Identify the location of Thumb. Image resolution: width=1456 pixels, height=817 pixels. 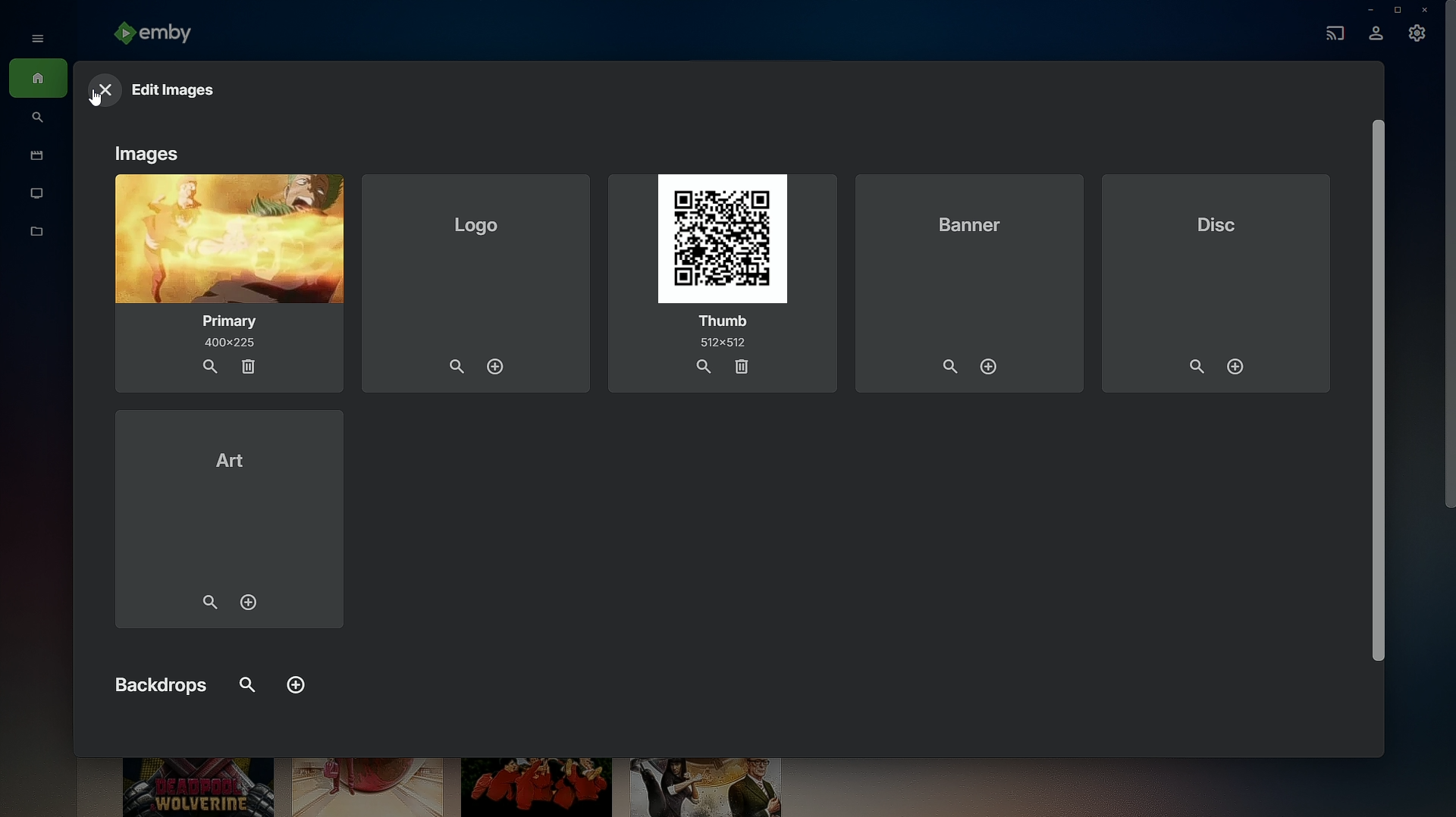
(725, 279).